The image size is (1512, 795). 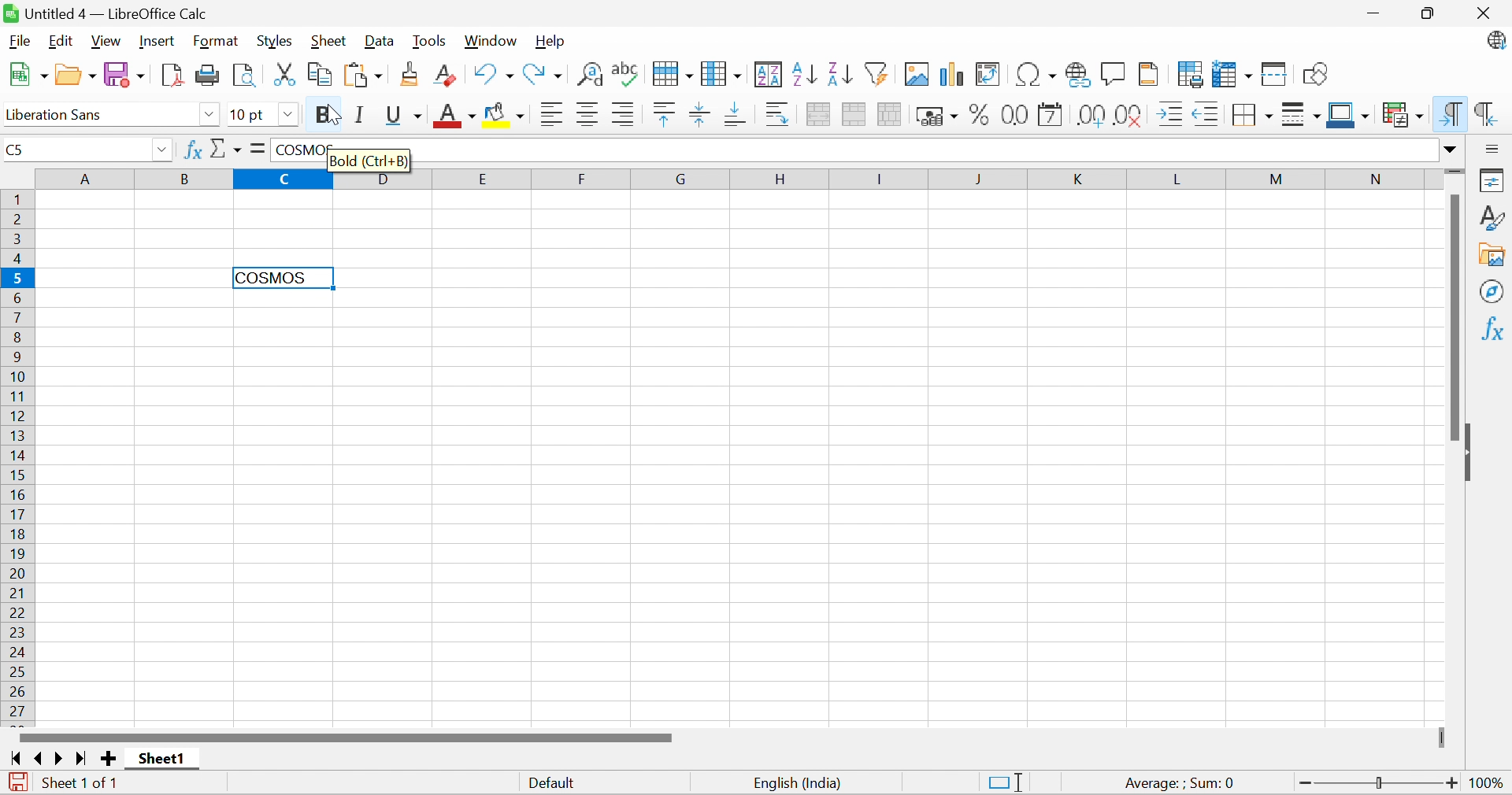 I want to click on Average: ;Sum:0, so click(x=1180, y=784).